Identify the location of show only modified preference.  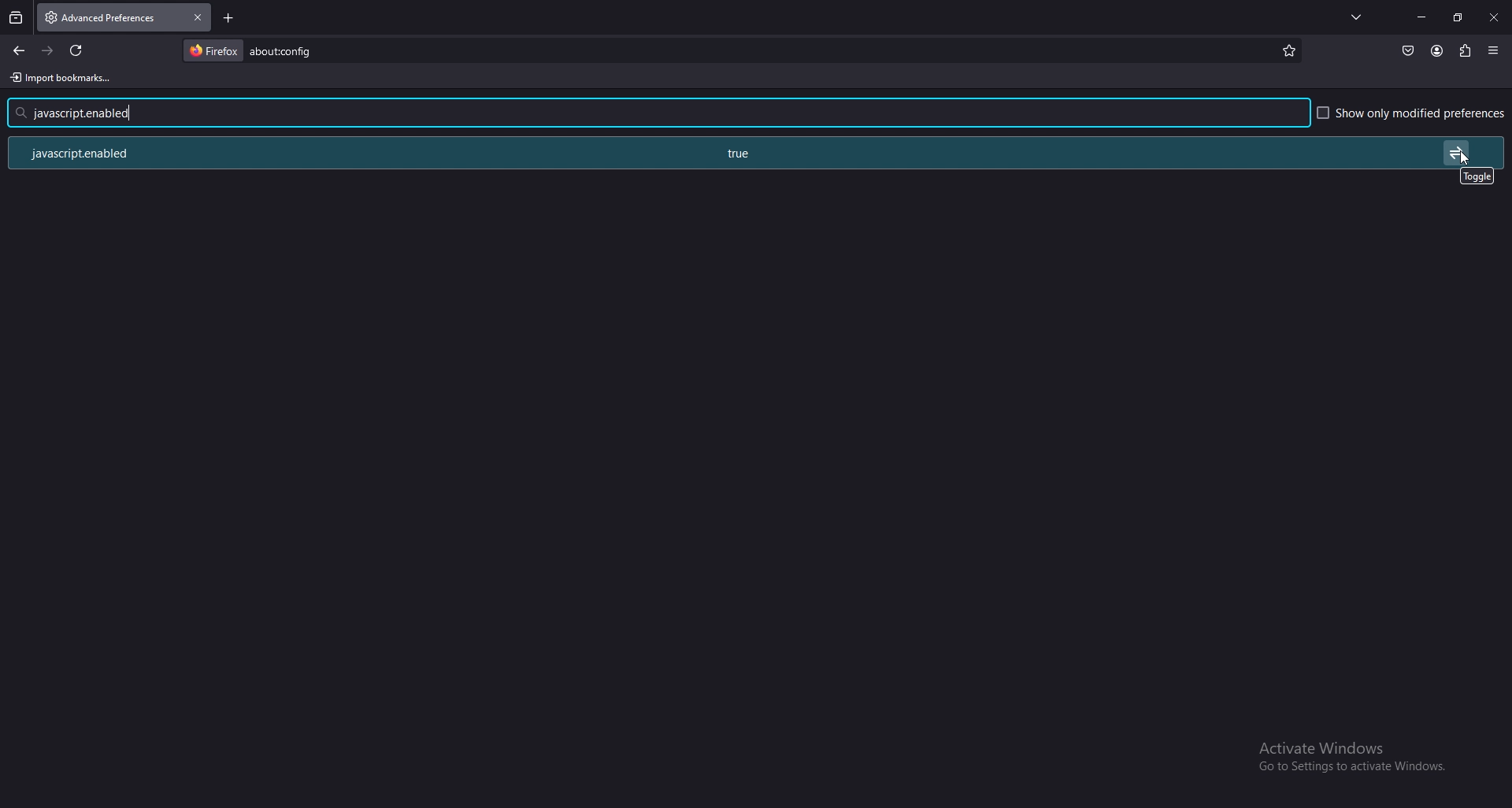
(1412, 114).